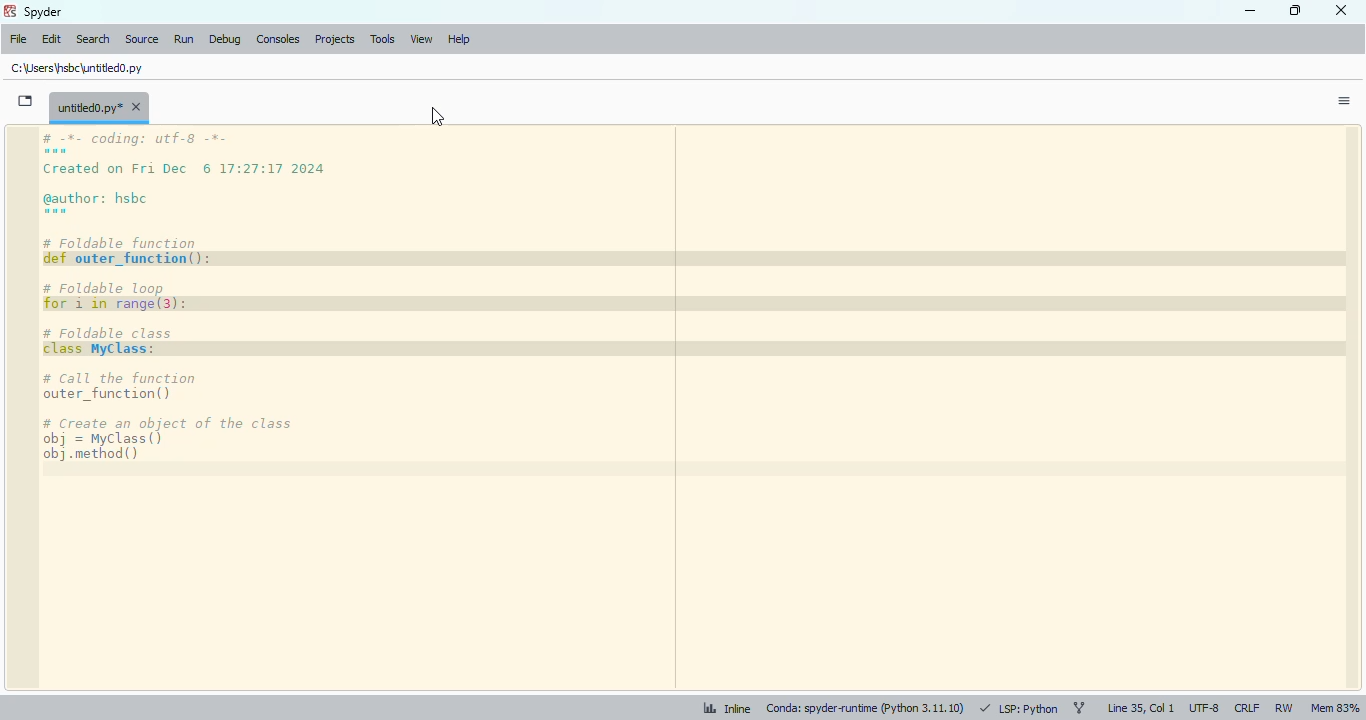  I want to click on untitled0.py, so click(99, 107).